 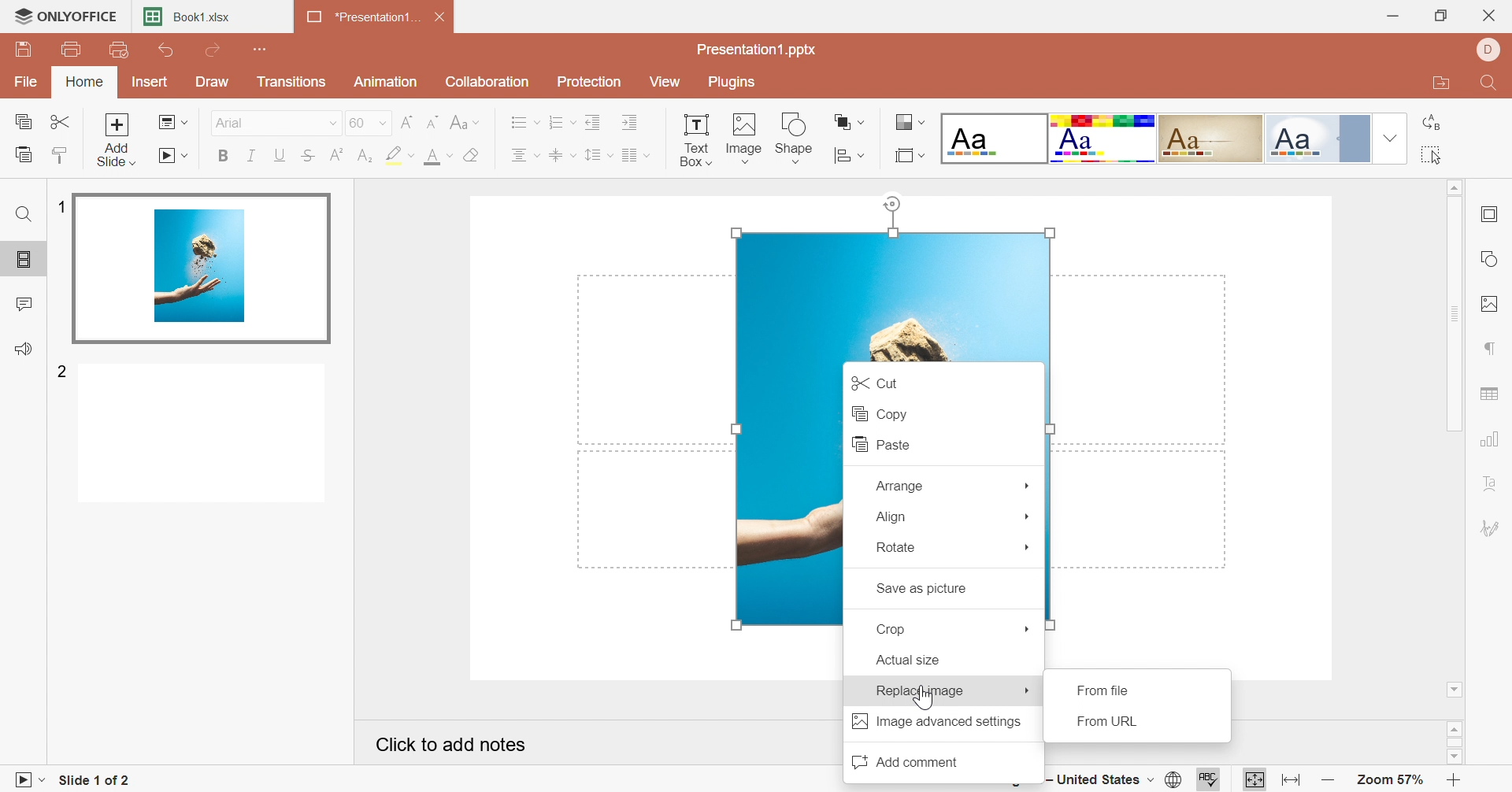 What do you see at coordinates (878, 413) in the screenshot?
I see `Copy` at bounding box center [878, 413].